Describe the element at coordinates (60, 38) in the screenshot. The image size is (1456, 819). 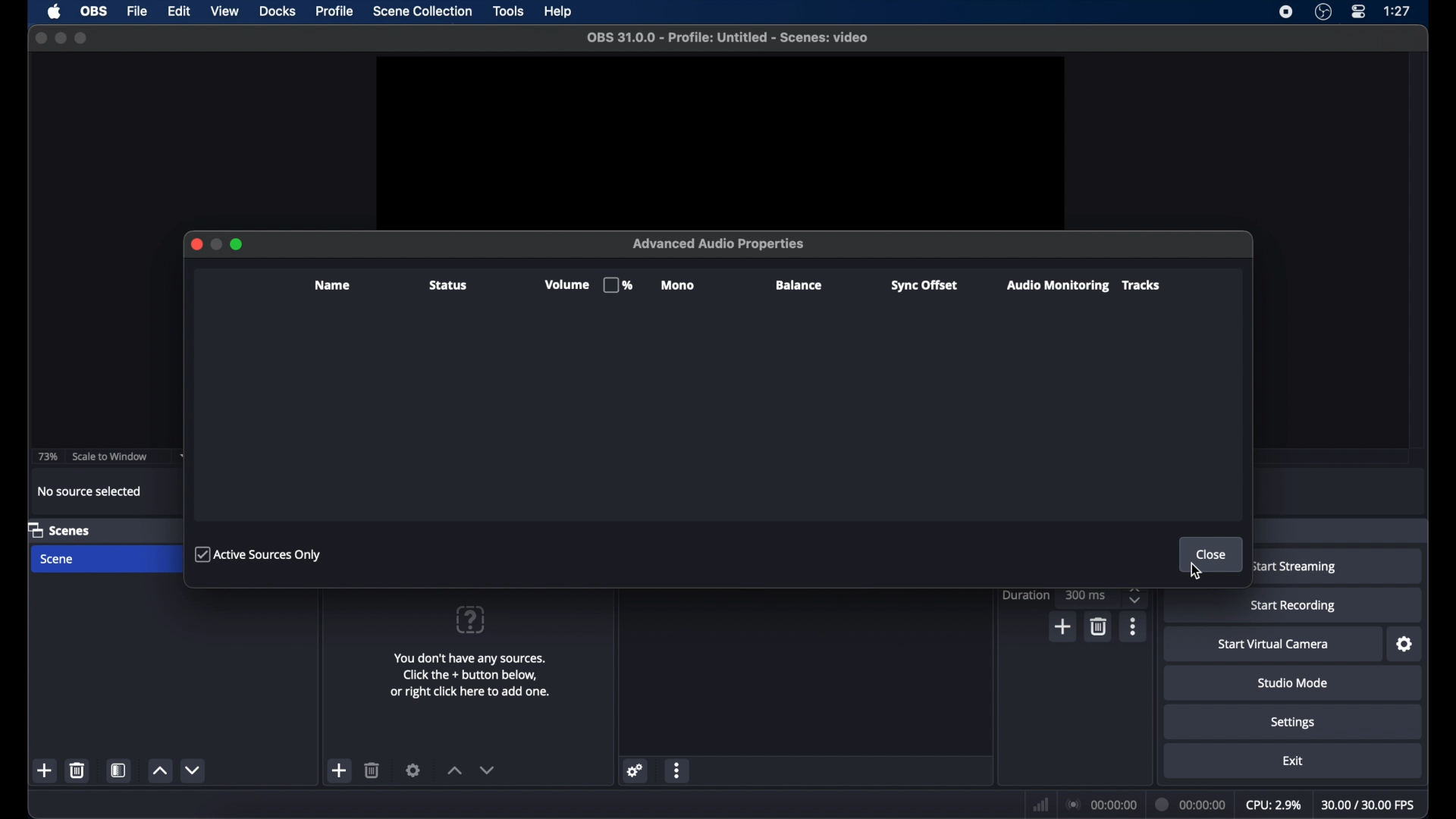
I see `minimize` at that location.